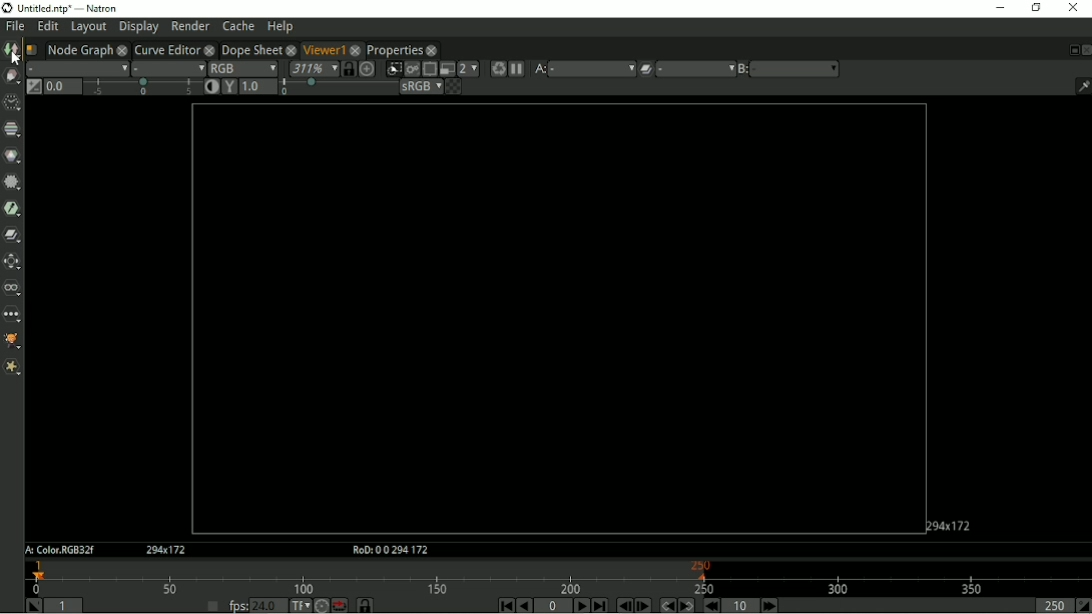 Image resolution: width=1092 pixels, height=614 pixels. Describe the element at coordinates (411, 69) in the screenshot. I see `Render image` at that location.